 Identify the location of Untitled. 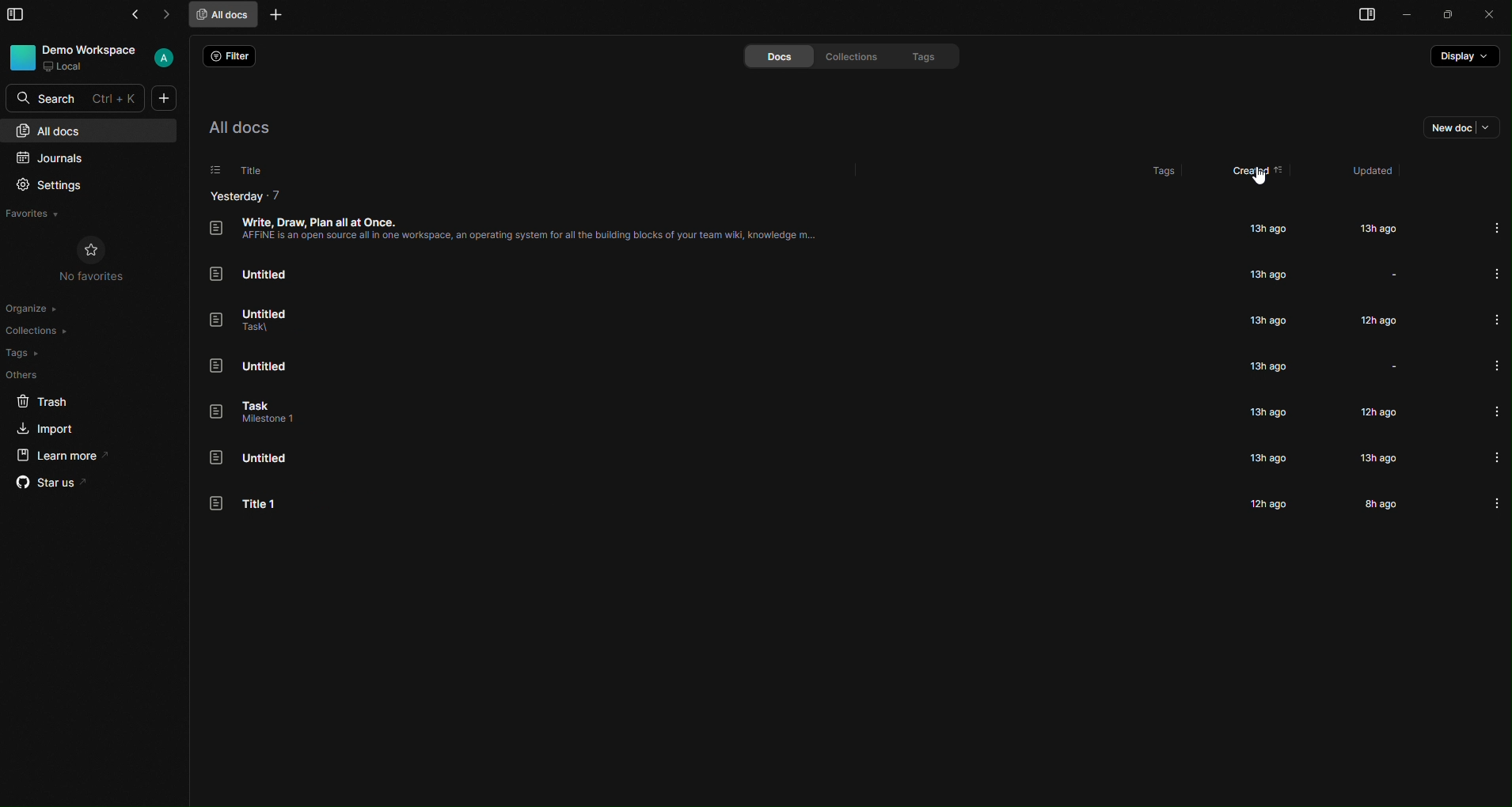
(249, 271).